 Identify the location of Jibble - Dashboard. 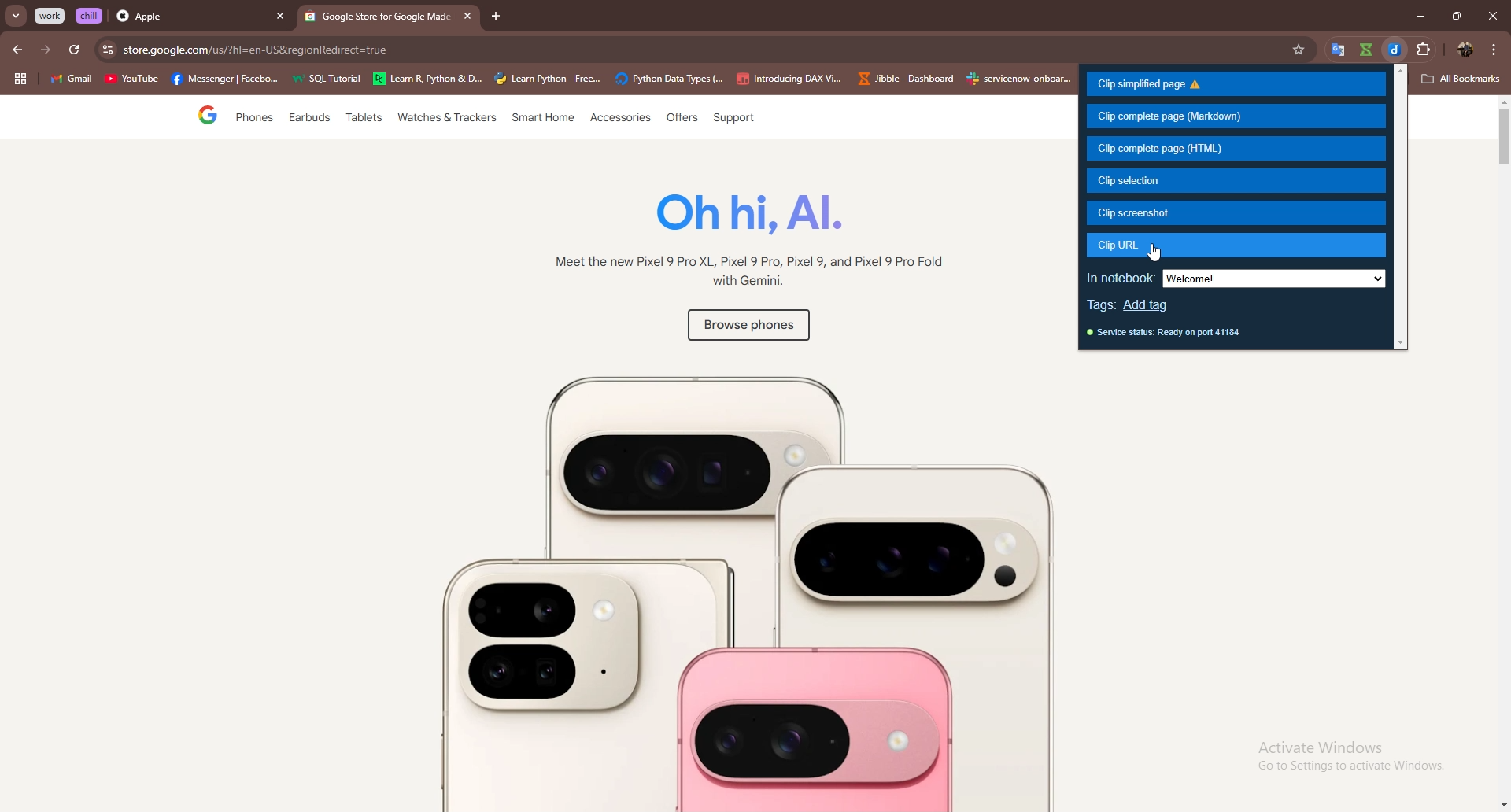
(903, 79).